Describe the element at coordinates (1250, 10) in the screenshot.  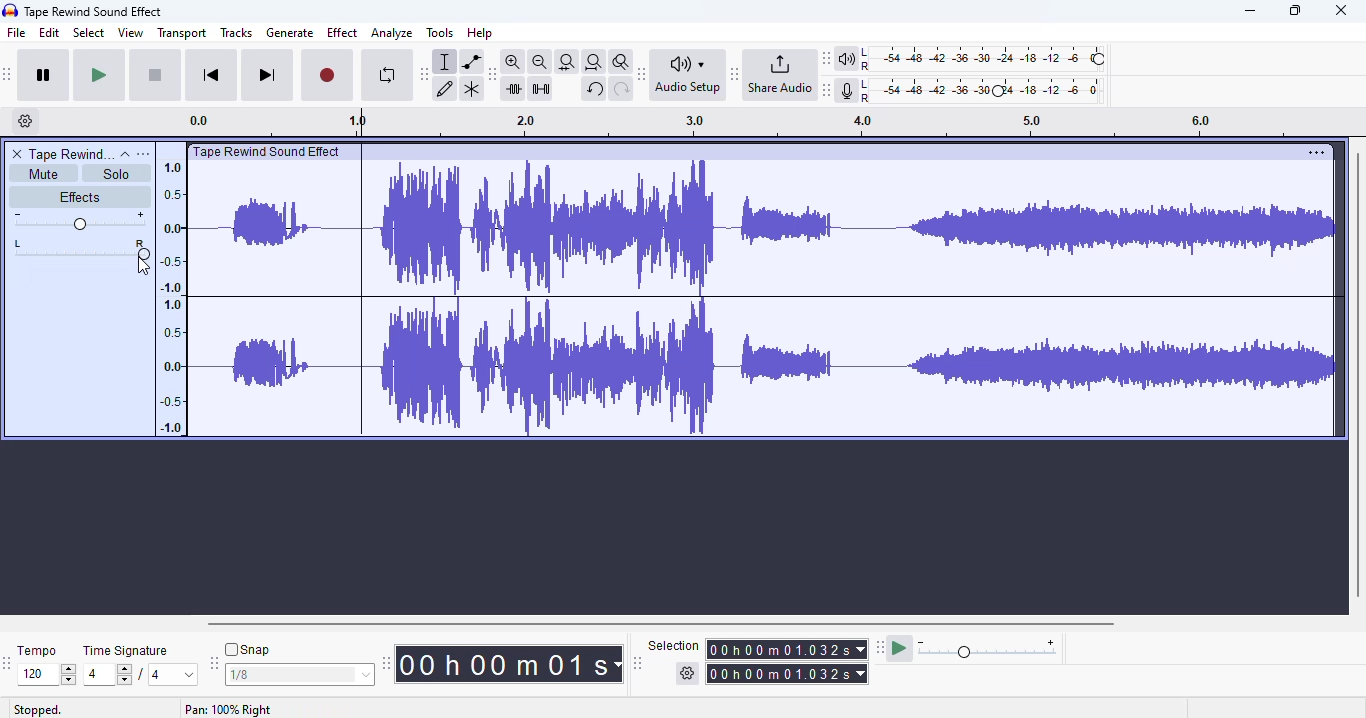
I see `minimize` at that location.